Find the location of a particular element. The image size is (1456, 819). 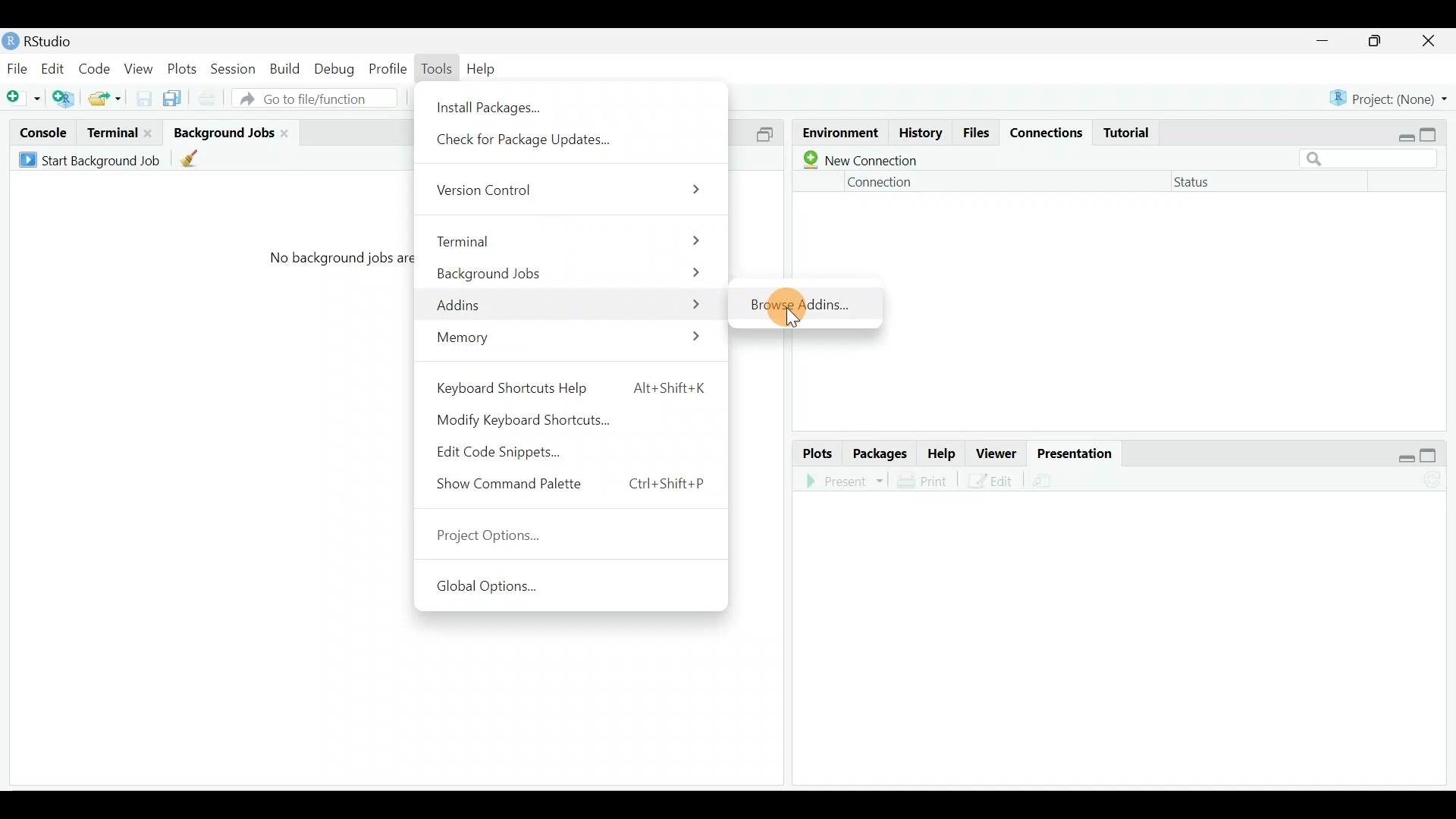

open an existing file is located at coordinates (105, 99).